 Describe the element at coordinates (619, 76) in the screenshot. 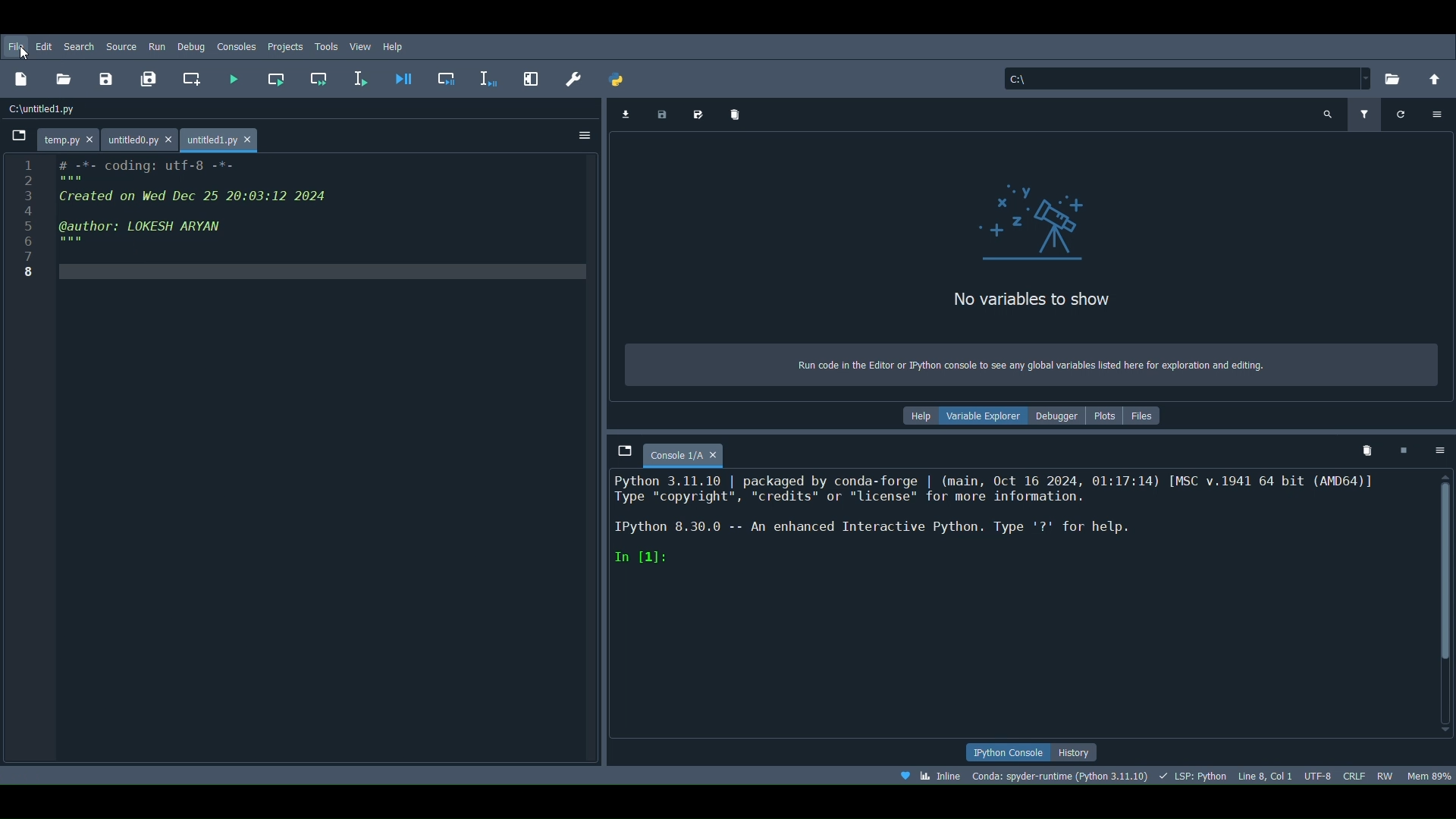

I see `PYTHONPATH manager` at that location.